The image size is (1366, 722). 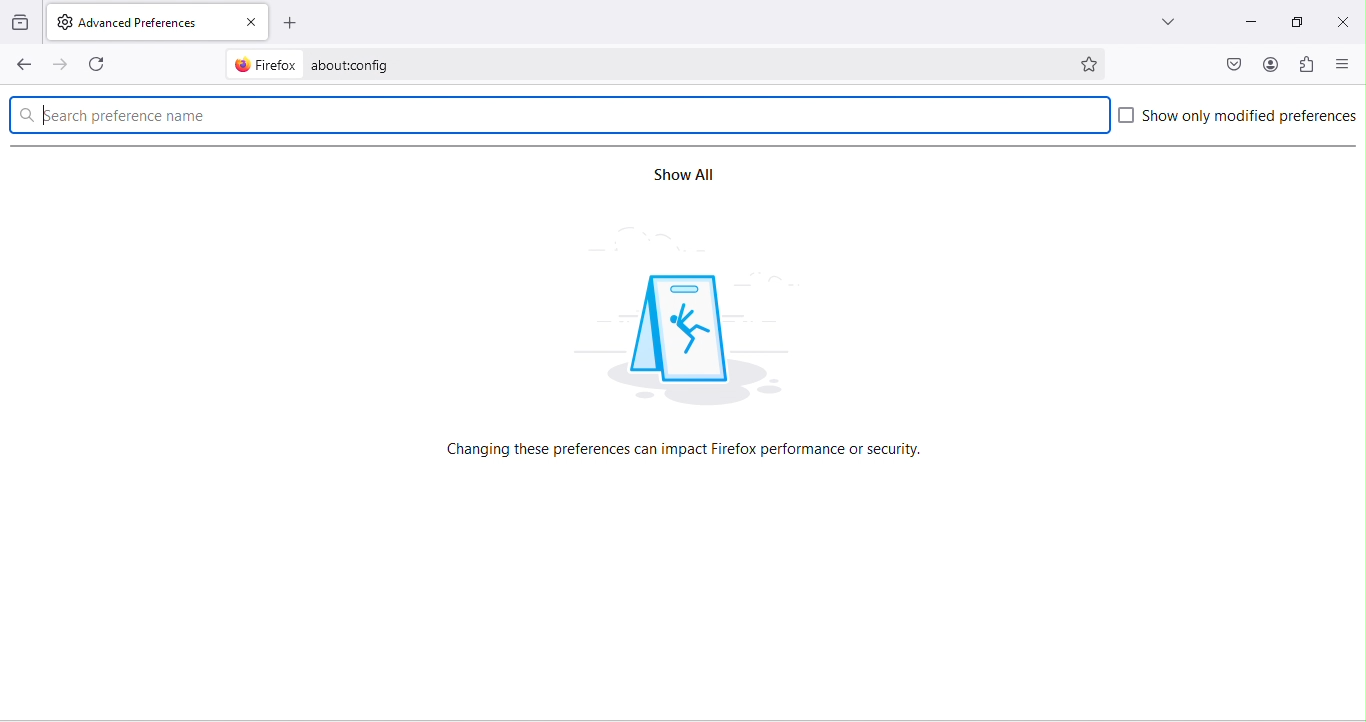 I want to click on add, so click(x=293, y=24).